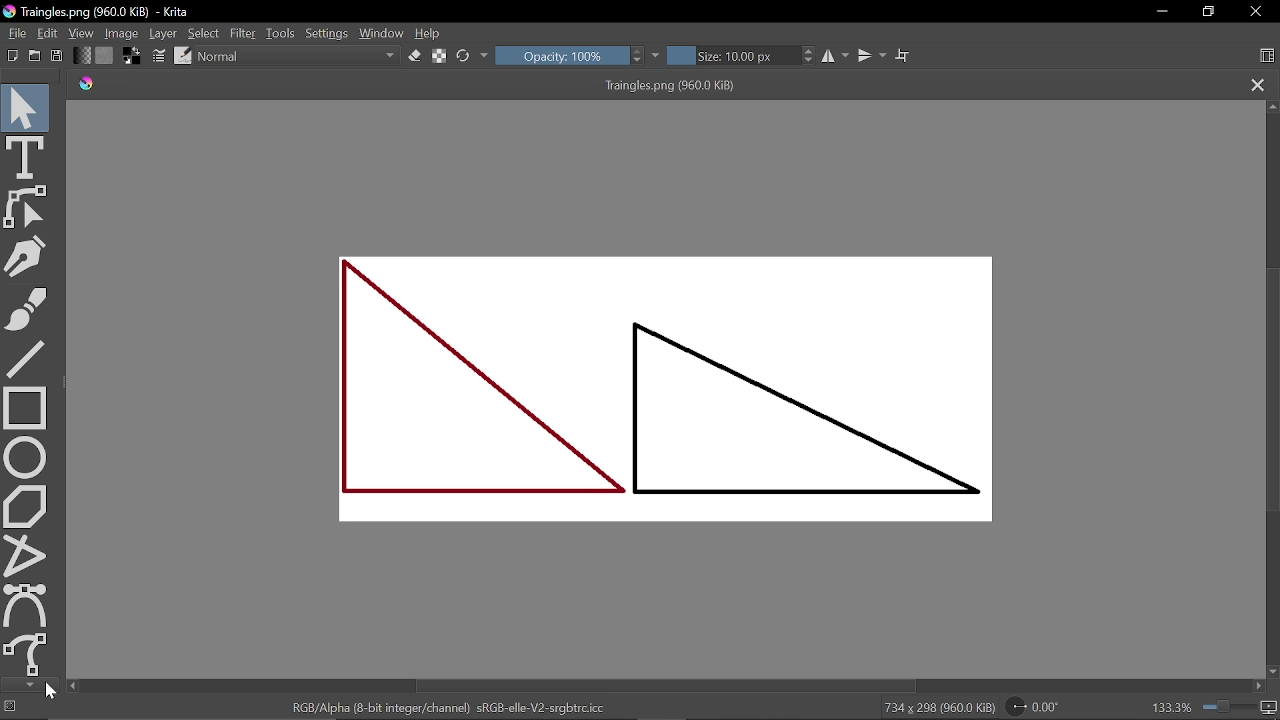  I want to click on App icon, so click(10, 12).